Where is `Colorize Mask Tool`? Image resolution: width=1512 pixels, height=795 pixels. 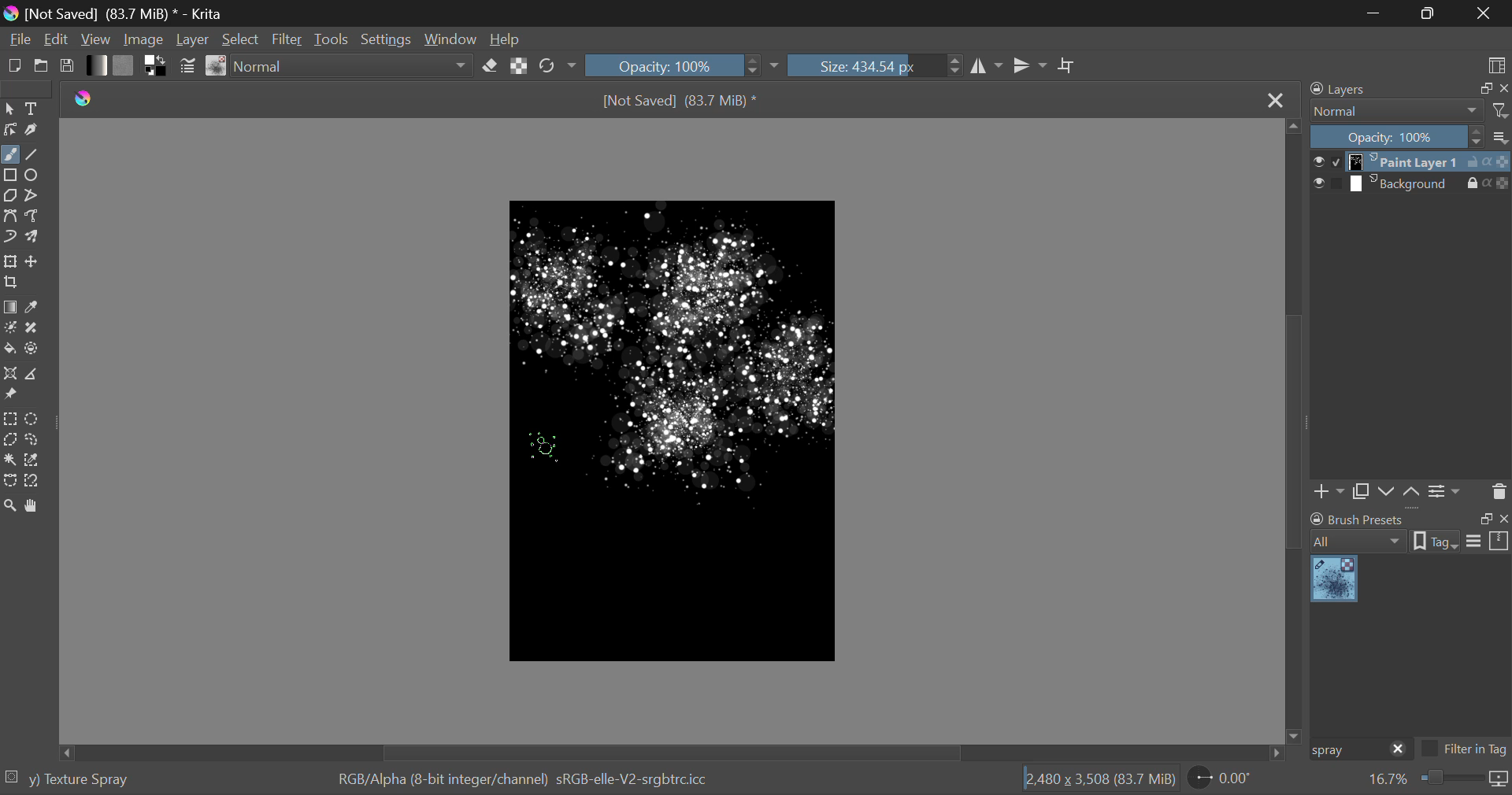
Colorize Mask Tool is located at coordinates (10, 329).